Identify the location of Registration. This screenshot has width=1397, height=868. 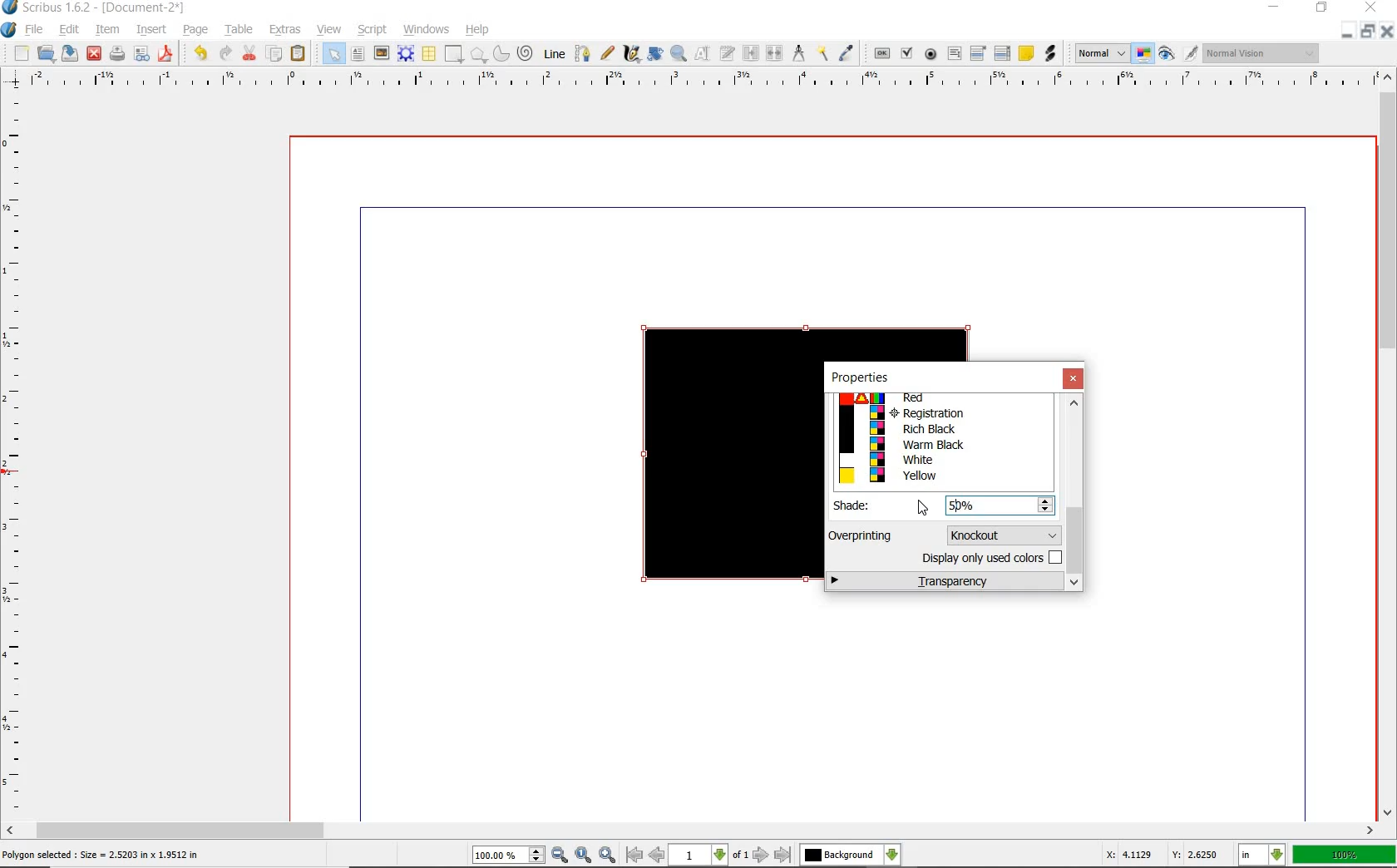
(941, 413).